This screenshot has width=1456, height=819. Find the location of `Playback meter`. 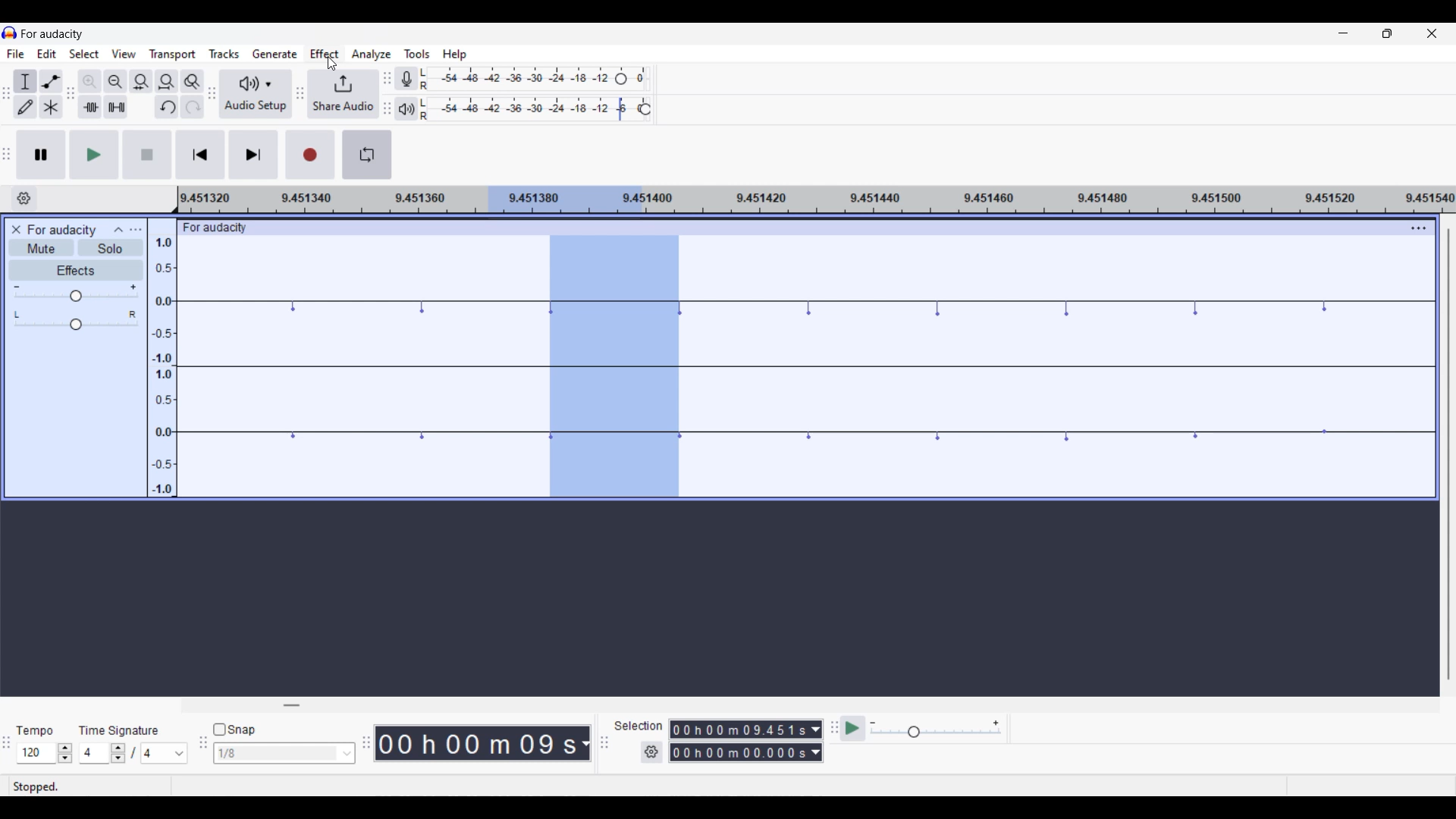

Playback meter is located at coordinates (406, 109).